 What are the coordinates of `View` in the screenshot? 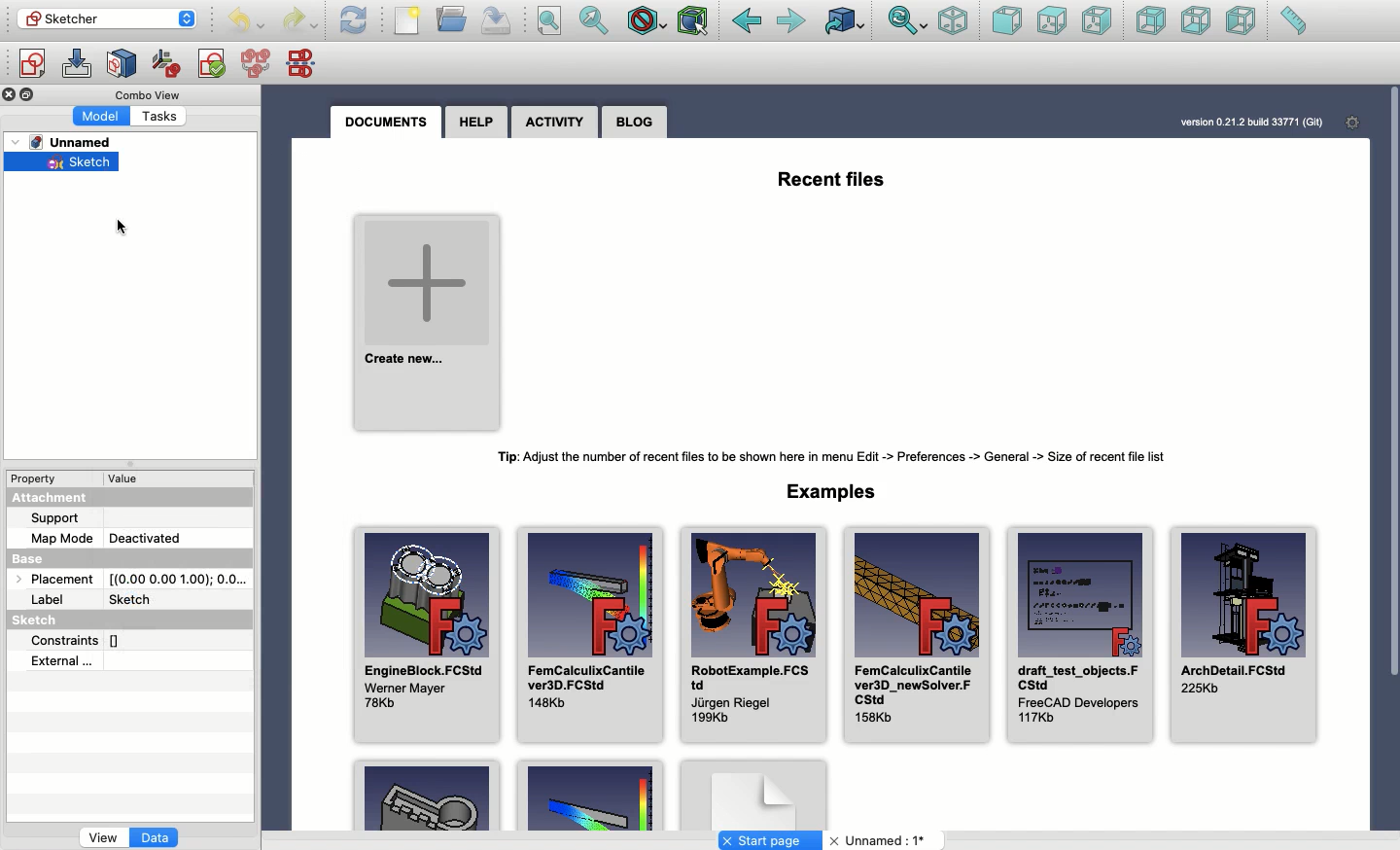 It's located at (103, 839).